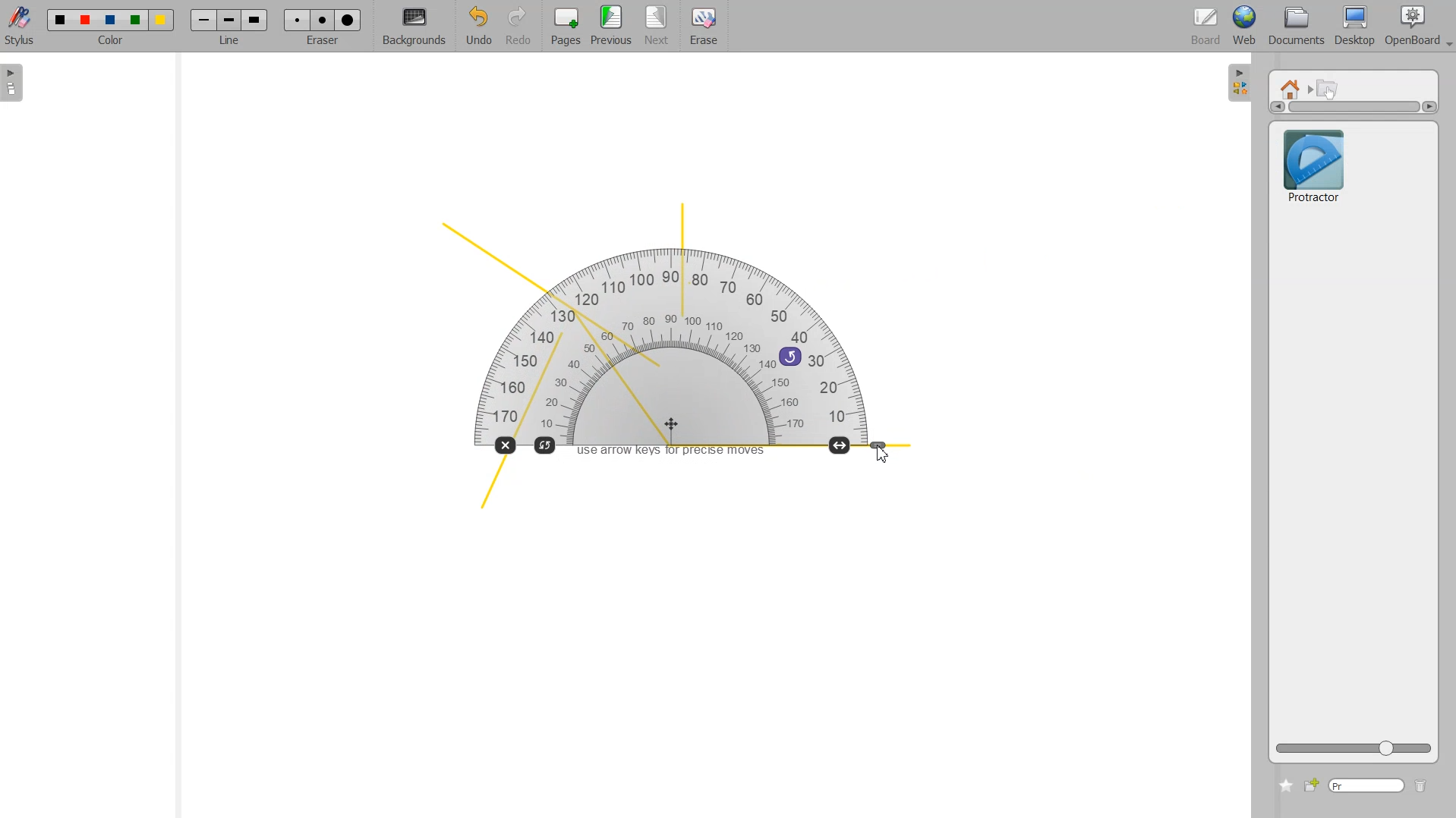 The width and height of the screenshot is (1456, 818). Describe the element at coordinates (1354, 107) in the screenshot. I see `Vertical scrollbar` at that location.